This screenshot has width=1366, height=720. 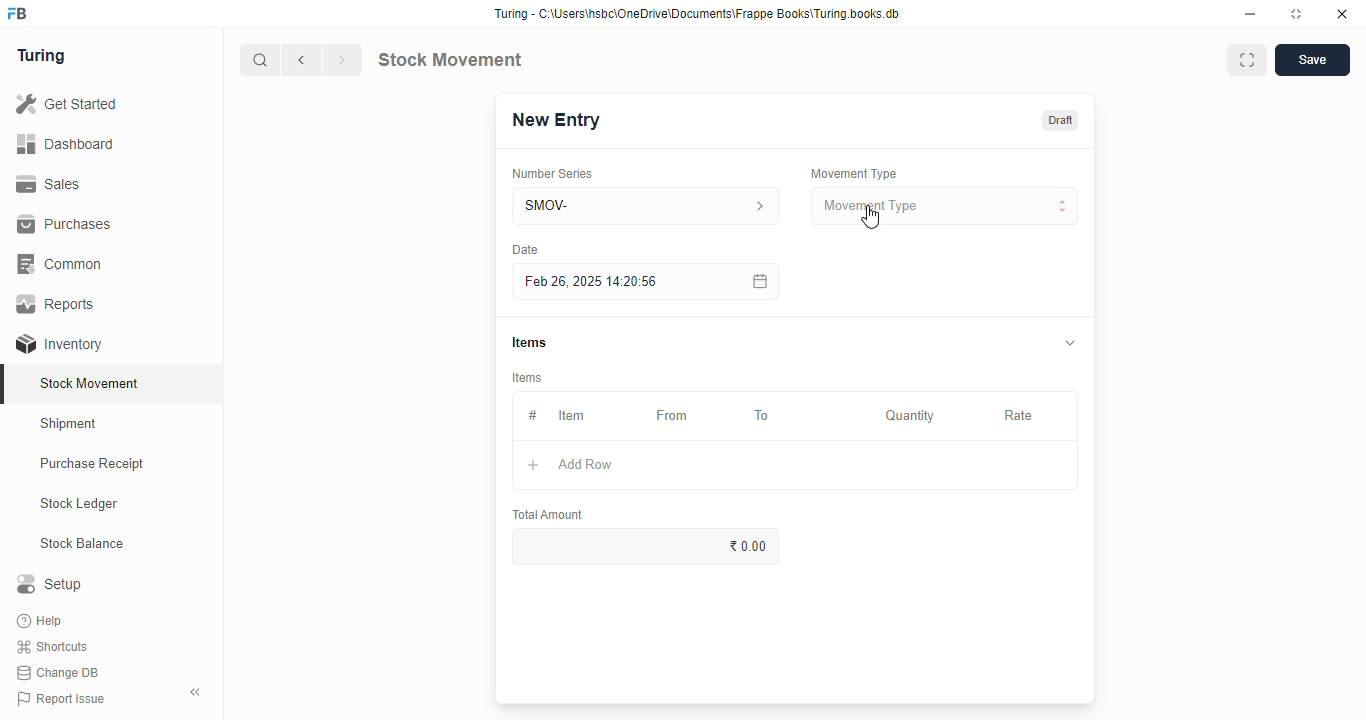 I want to click on cursor, so click(x=870, y=217).